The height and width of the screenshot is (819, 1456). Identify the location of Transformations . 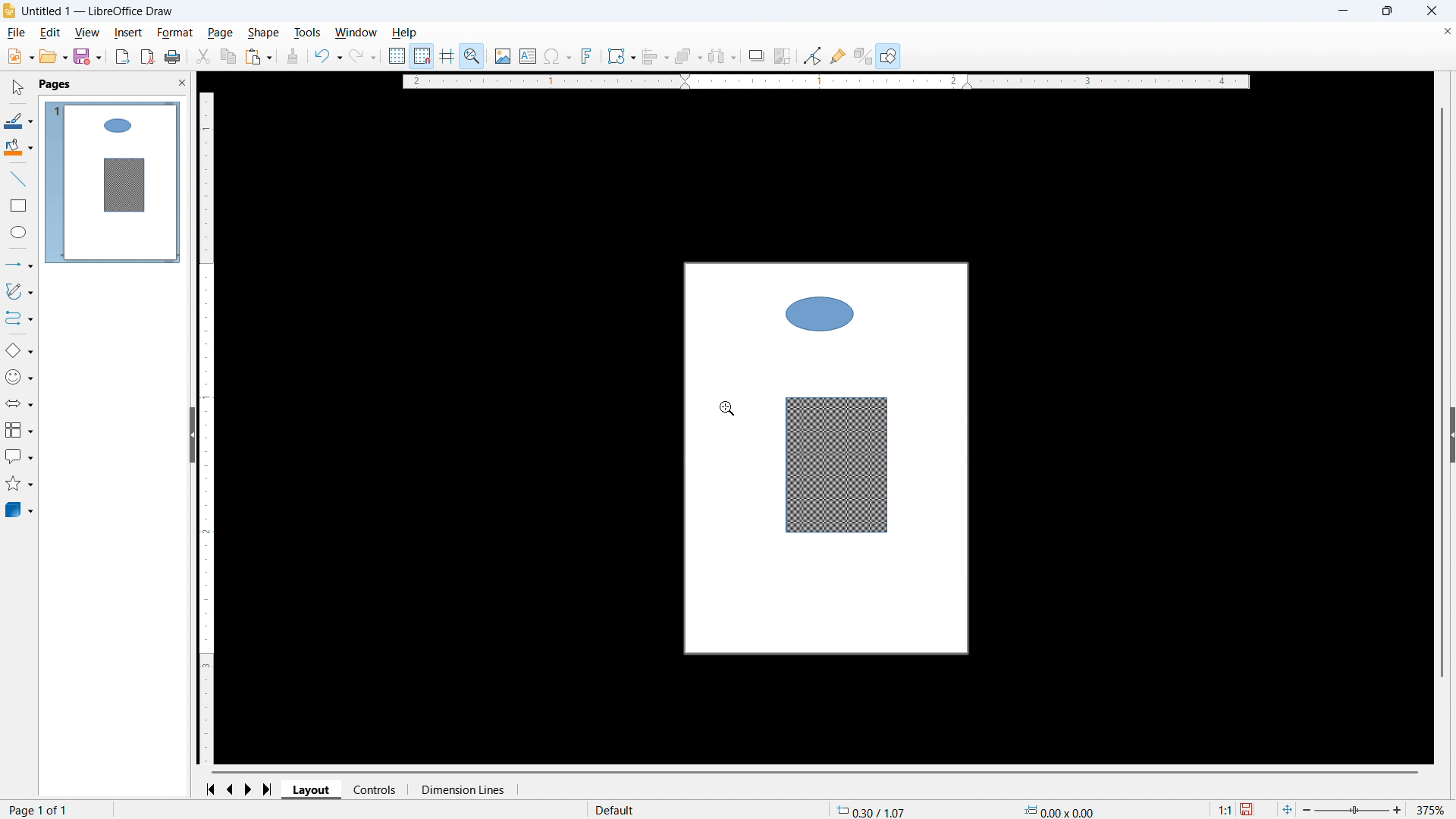
(621, 57).